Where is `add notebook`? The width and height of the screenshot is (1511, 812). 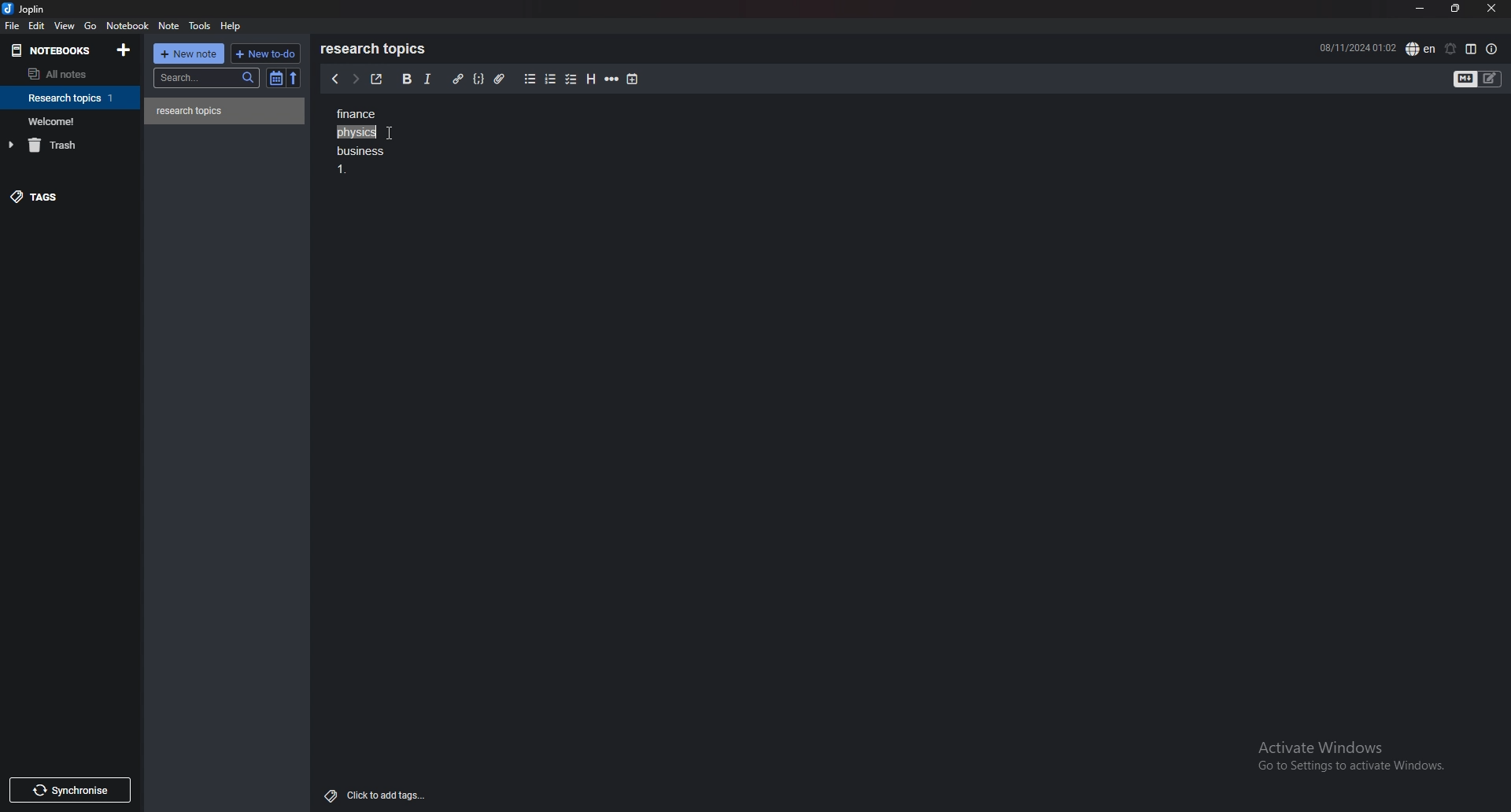
add notebook is located at coordinates (123, 50).